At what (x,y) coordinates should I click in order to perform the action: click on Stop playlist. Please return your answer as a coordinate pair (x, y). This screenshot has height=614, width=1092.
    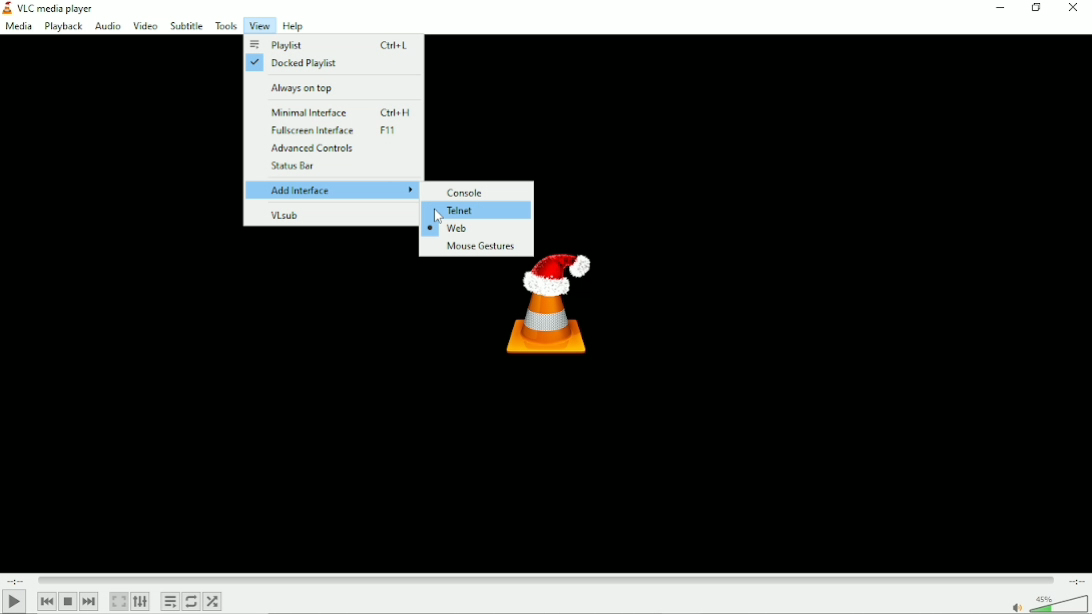
    Looking at the image, I should click on (67, 602).